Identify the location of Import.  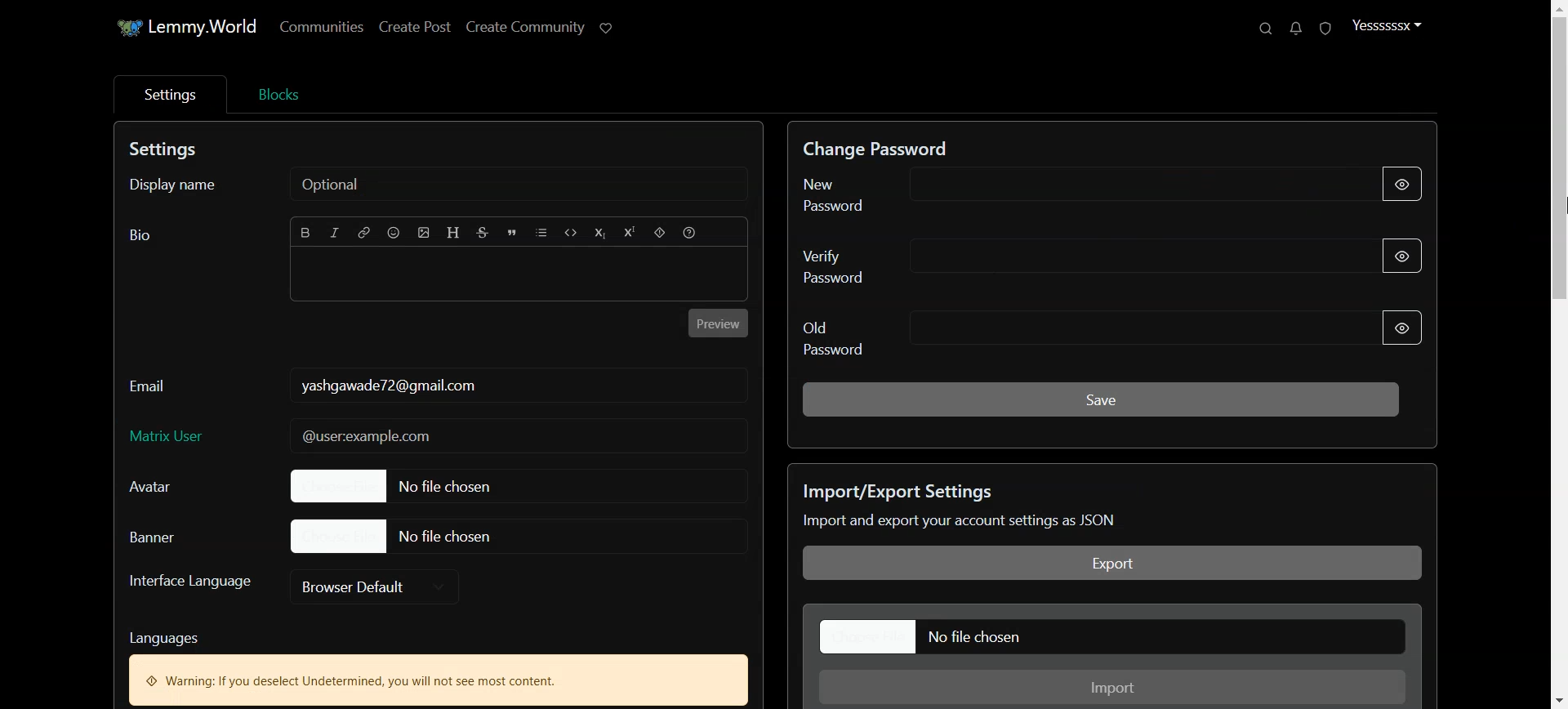
(1112, 685).